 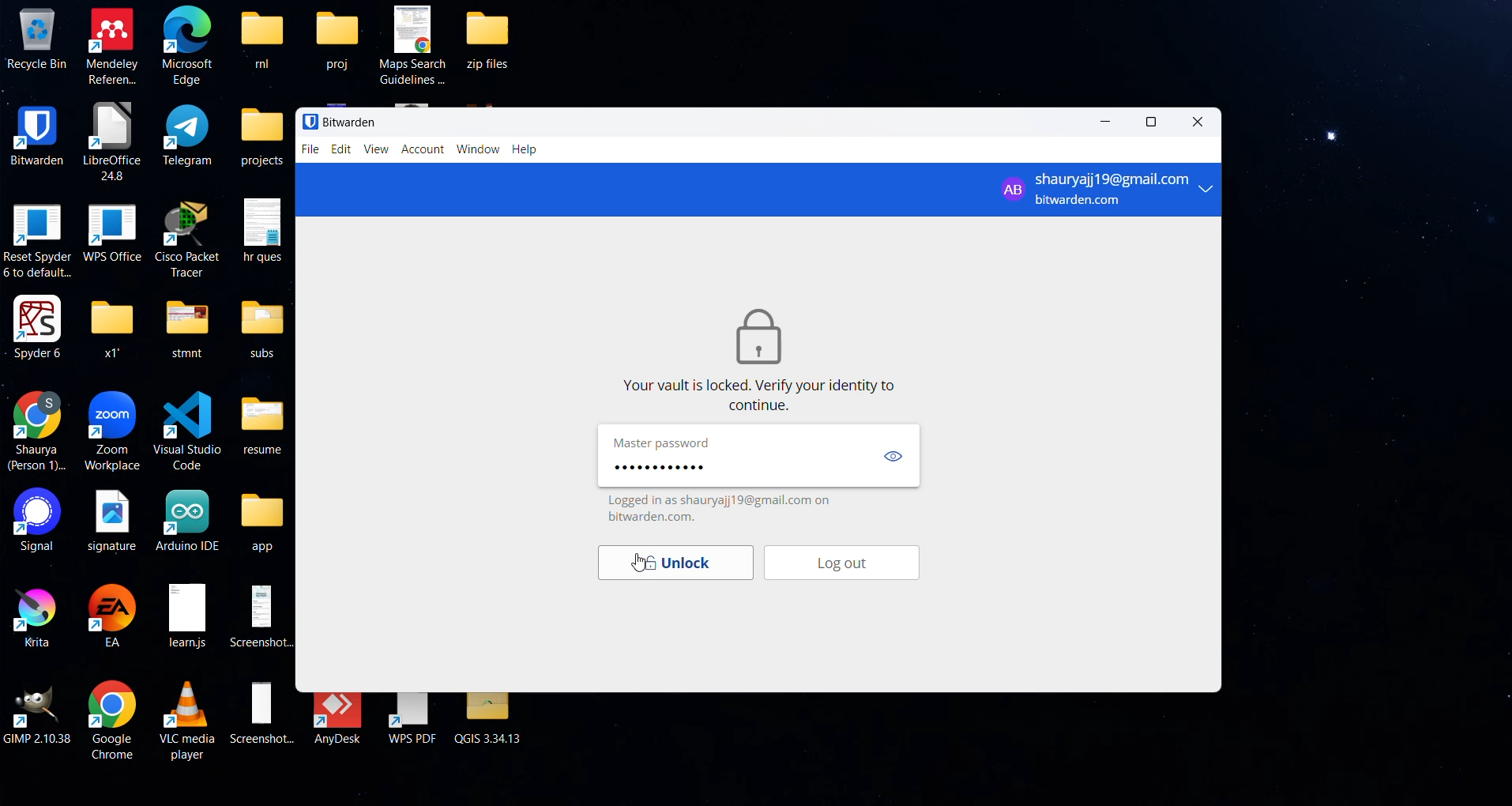 What do you see at coordinates (671, 564) in the screenshot?
I see `Unlock` at bounding box center [671, 564].